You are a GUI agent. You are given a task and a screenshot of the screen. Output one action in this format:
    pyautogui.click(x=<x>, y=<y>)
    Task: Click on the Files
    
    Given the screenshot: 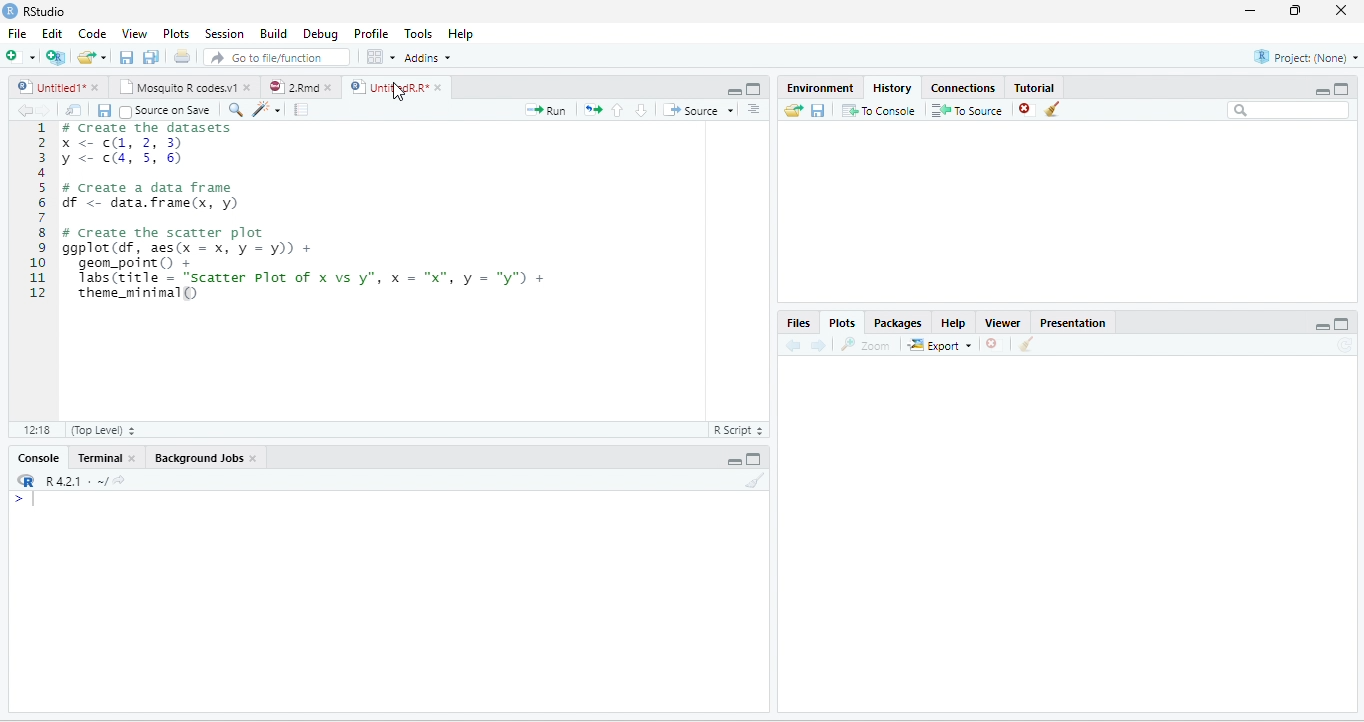 What is the action you would take?
    pyautogui.click(x=798, y=322)
    